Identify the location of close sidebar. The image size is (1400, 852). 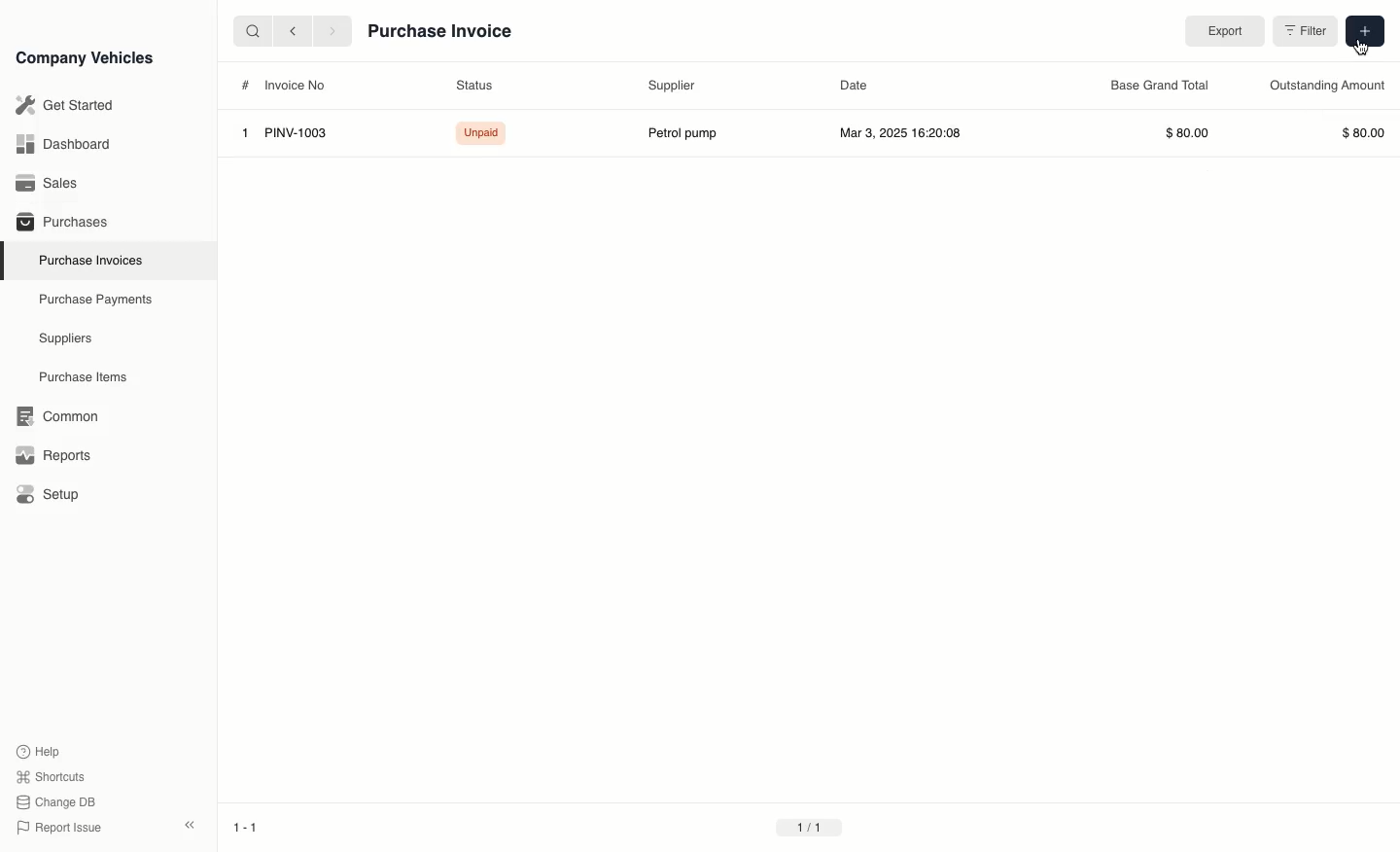
(192, 823).